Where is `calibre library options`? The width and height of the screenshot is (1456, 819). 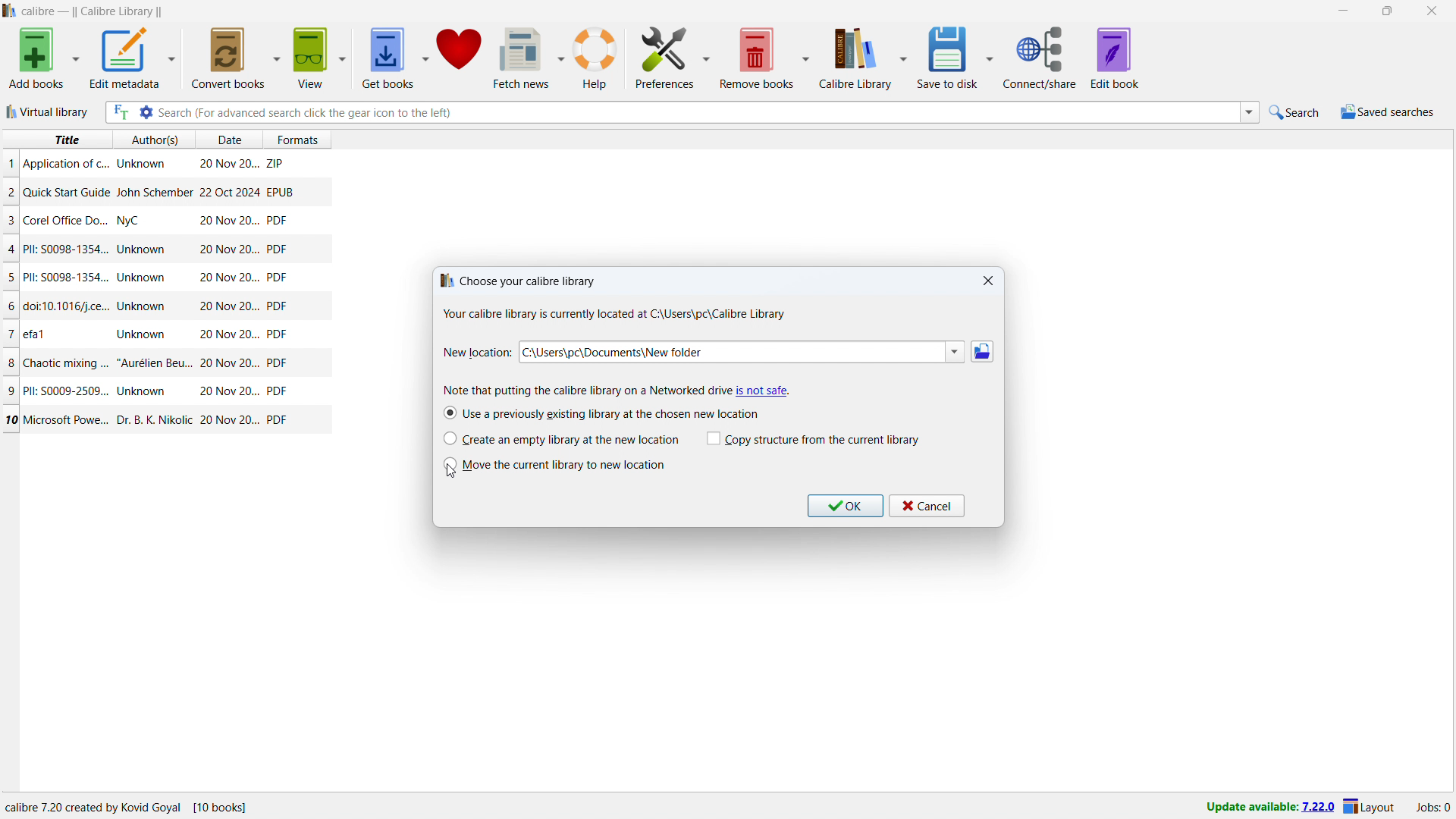
calibre library options is located at coordinates (904, 59).